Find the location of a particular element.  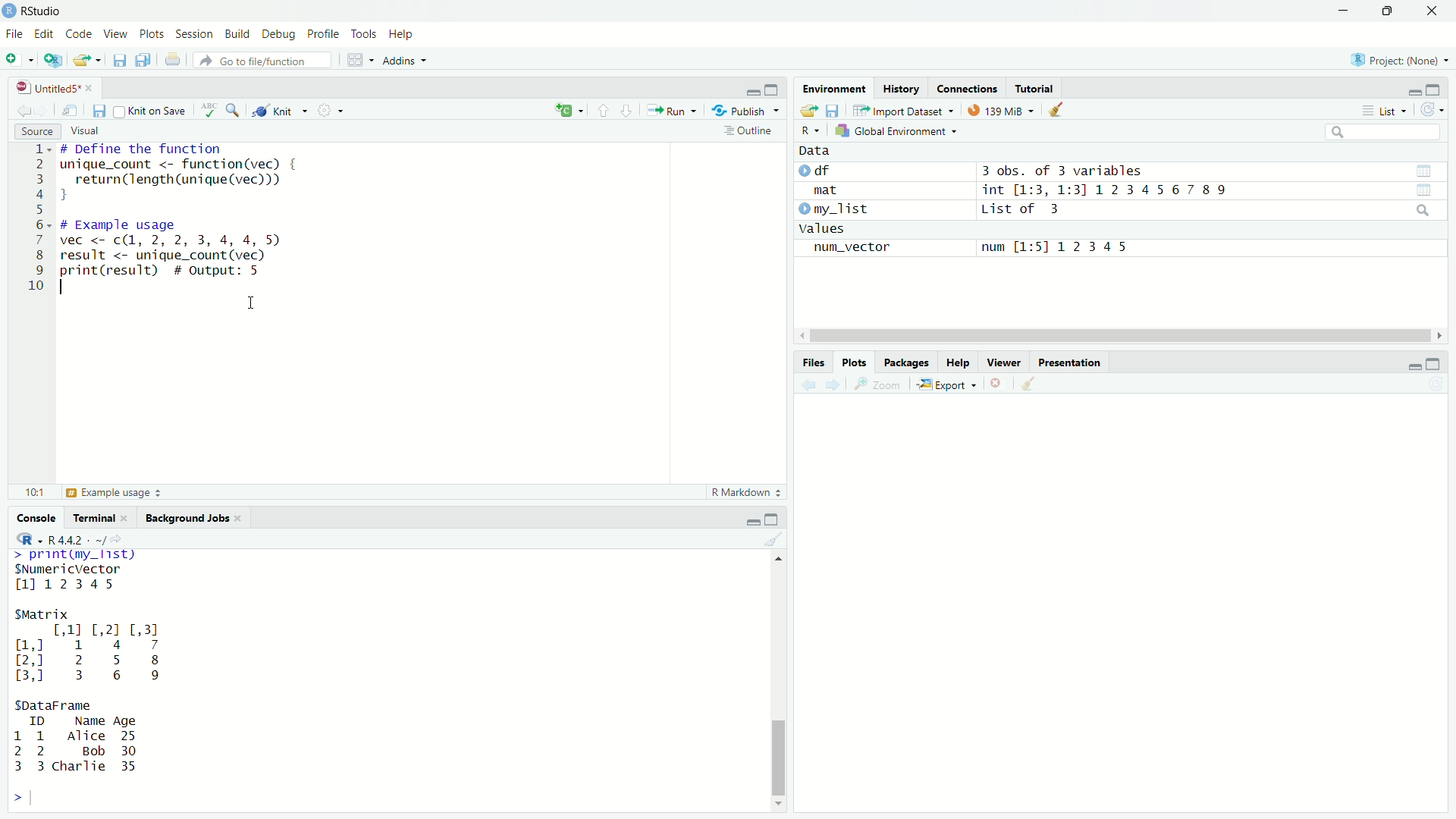

Environment is located at coordinates (835, 89).